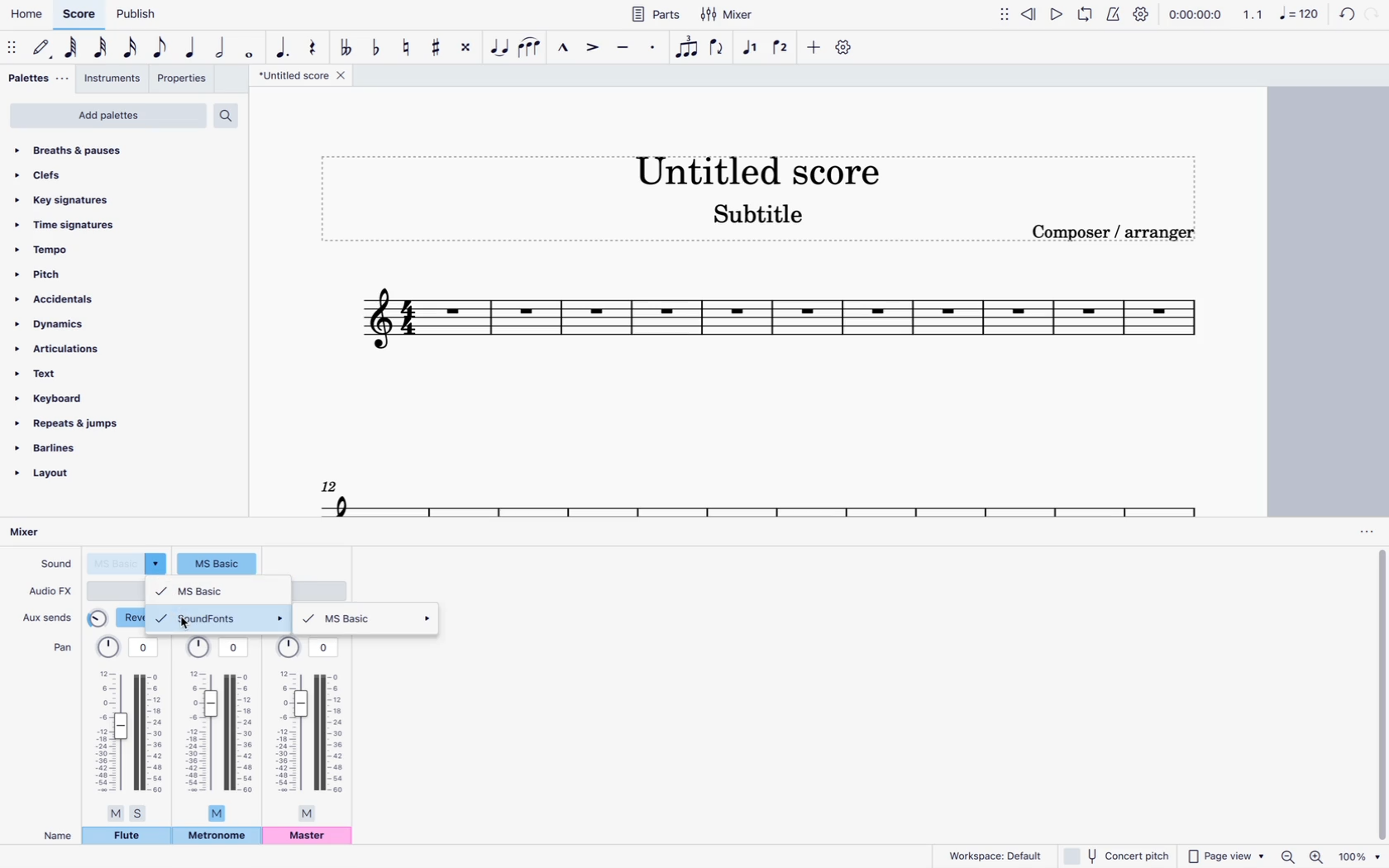 The image size is (1389, 868). What do you see at coordinates (82, 227) in the screenshot?
I see `time signatures` at bounding box center [82, 227].